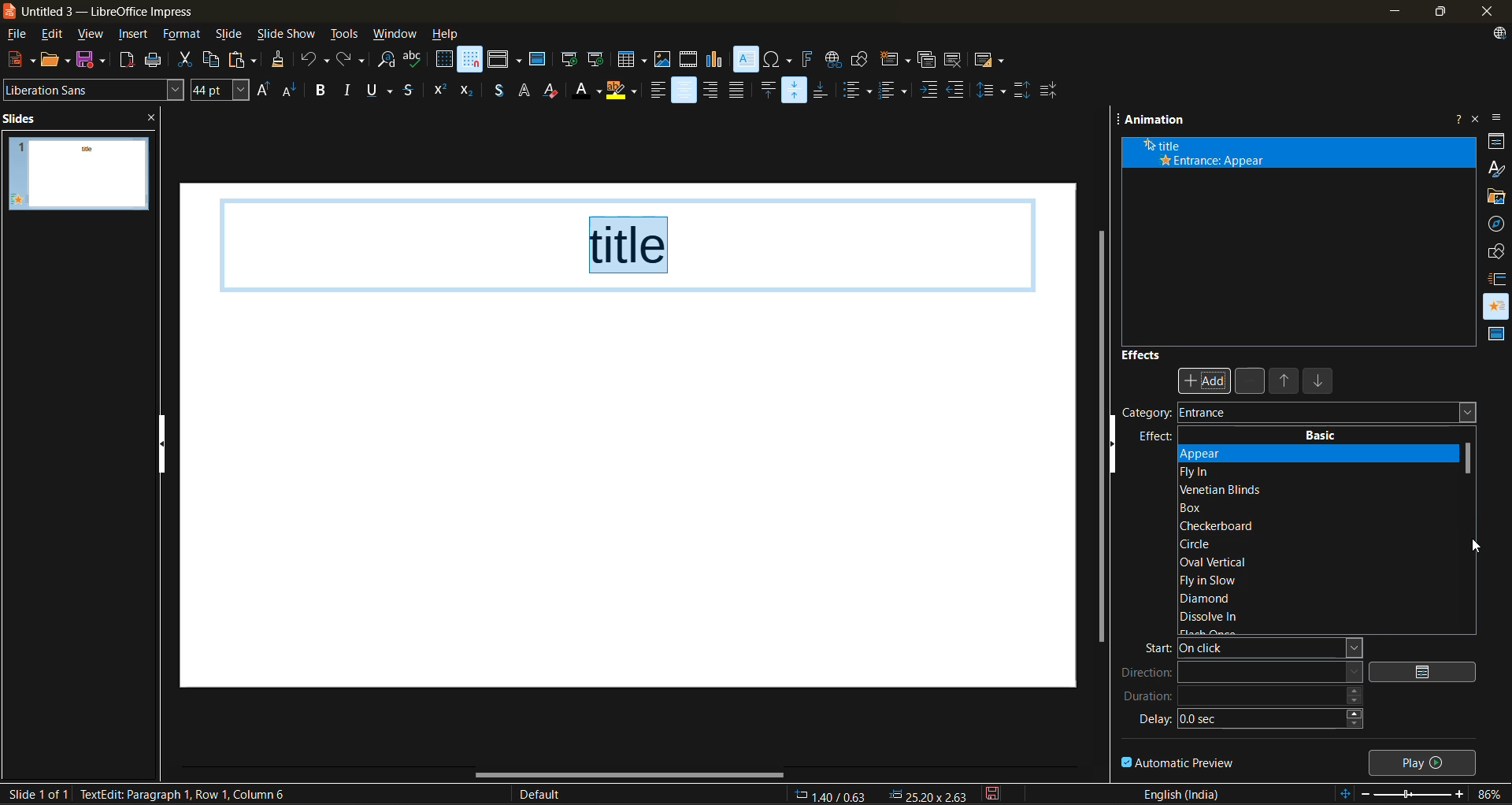 Image resolution: width=1512 pixels, height=805 pixels. I want to click on insert chart, so click(716, 60).